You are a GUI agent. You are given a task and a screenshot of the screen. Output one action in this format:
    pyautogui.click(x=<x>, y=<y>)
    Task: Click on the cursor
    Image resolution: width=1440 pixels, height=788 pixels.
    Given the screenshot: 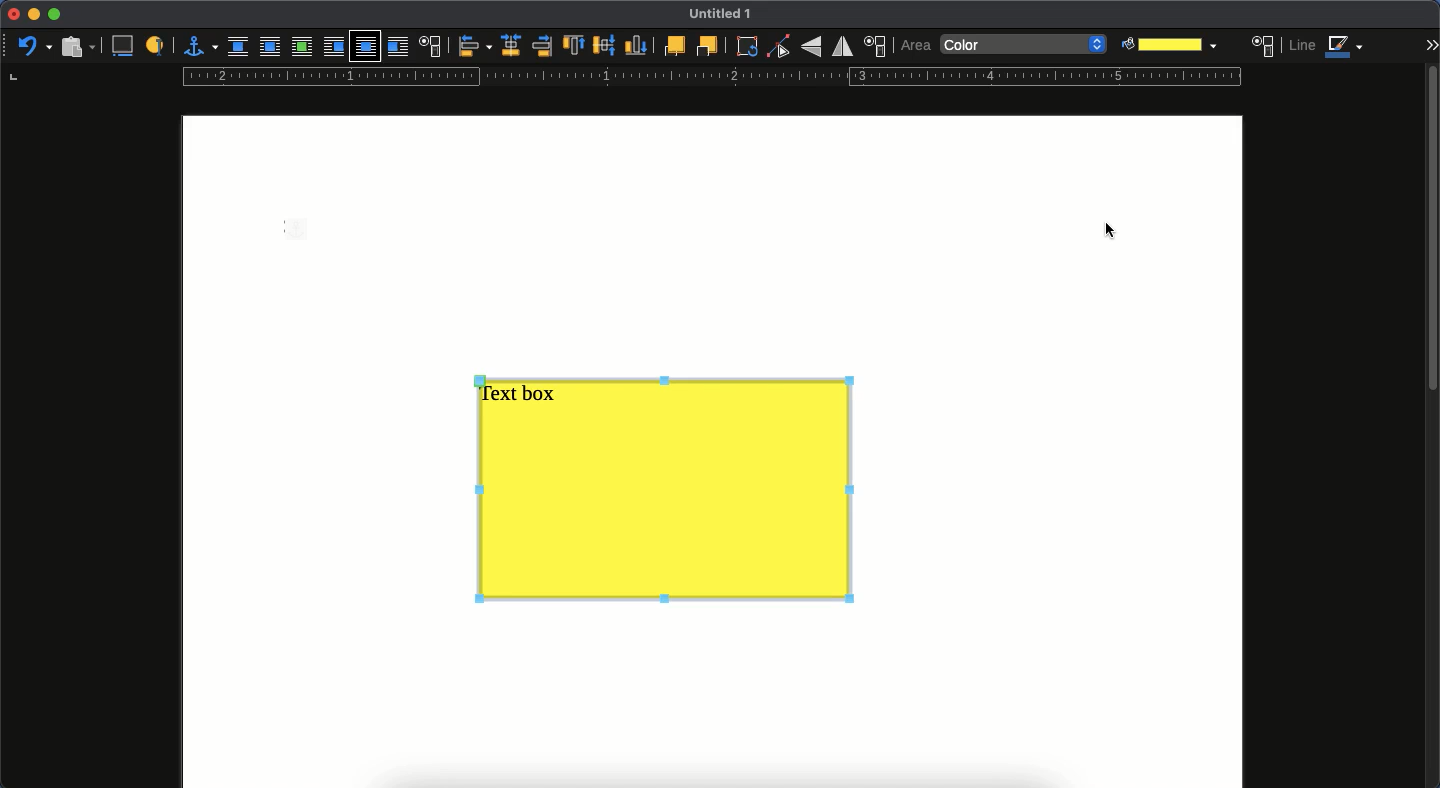 What is the action you would take?
    pyautogui.click(x=1113, y=230)
    